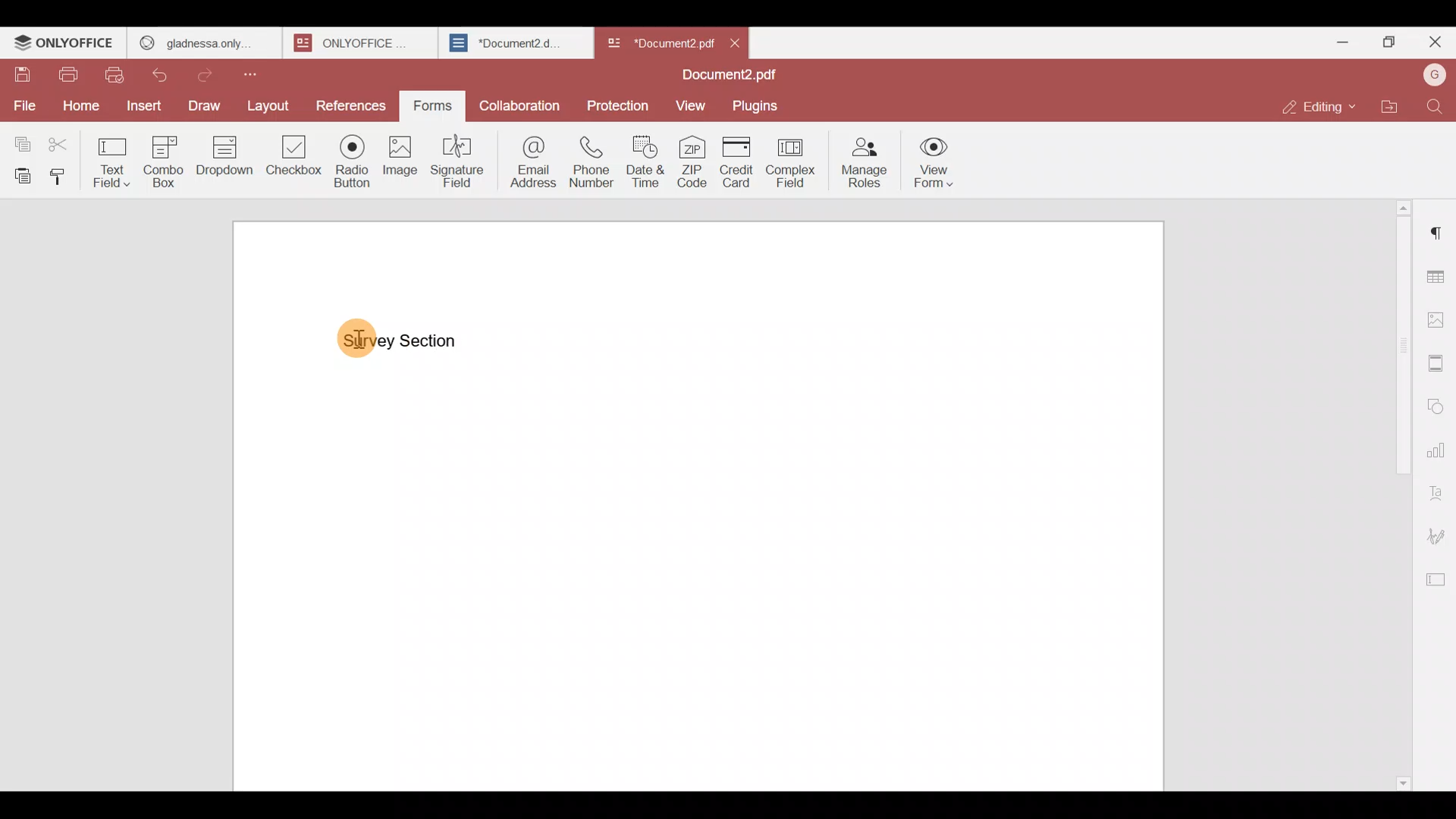  Describe the element at coordinates (1439, 107) in the screenshot. I see `Find` at that location.